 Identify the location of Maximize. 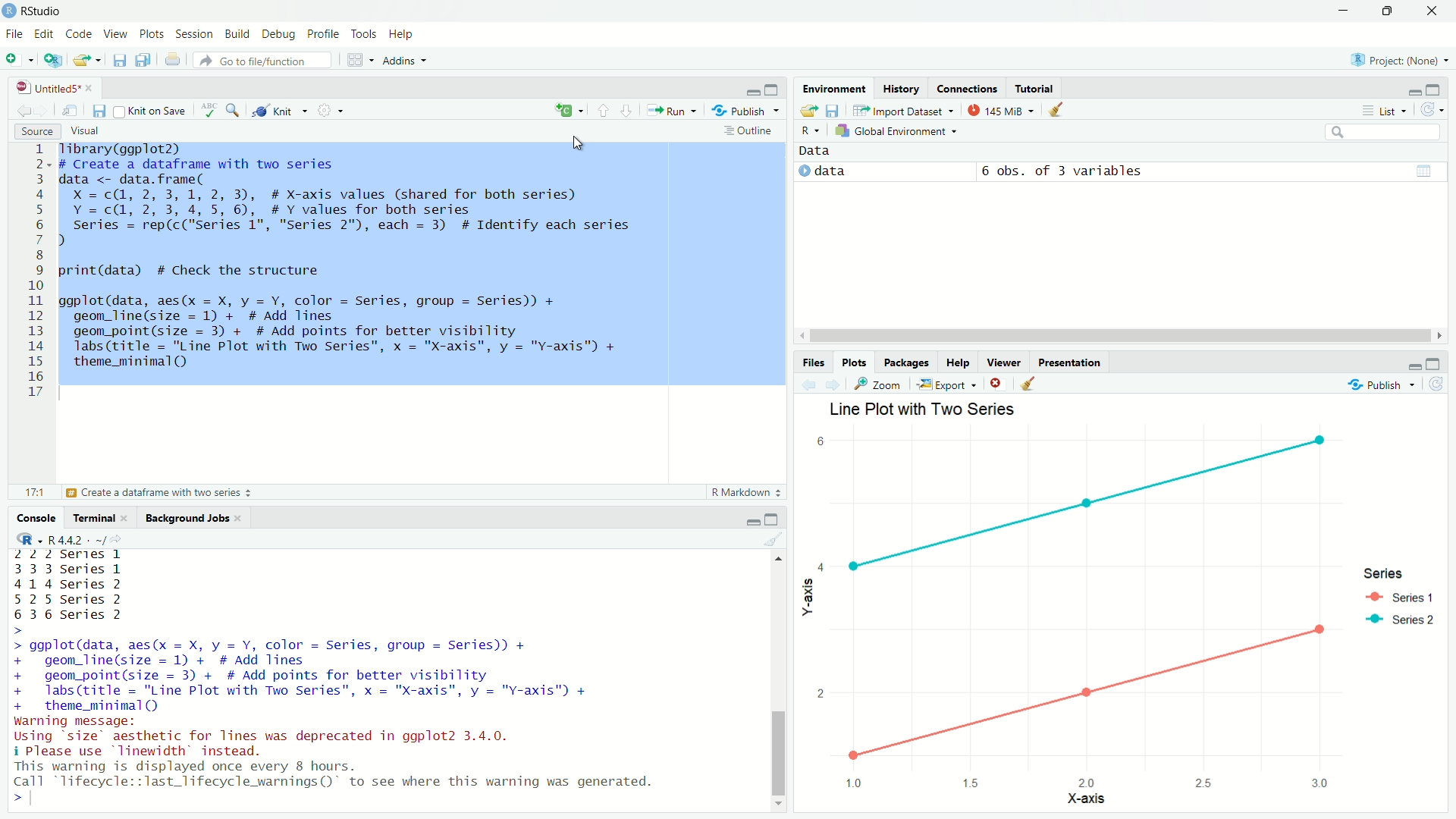
(772, 519).